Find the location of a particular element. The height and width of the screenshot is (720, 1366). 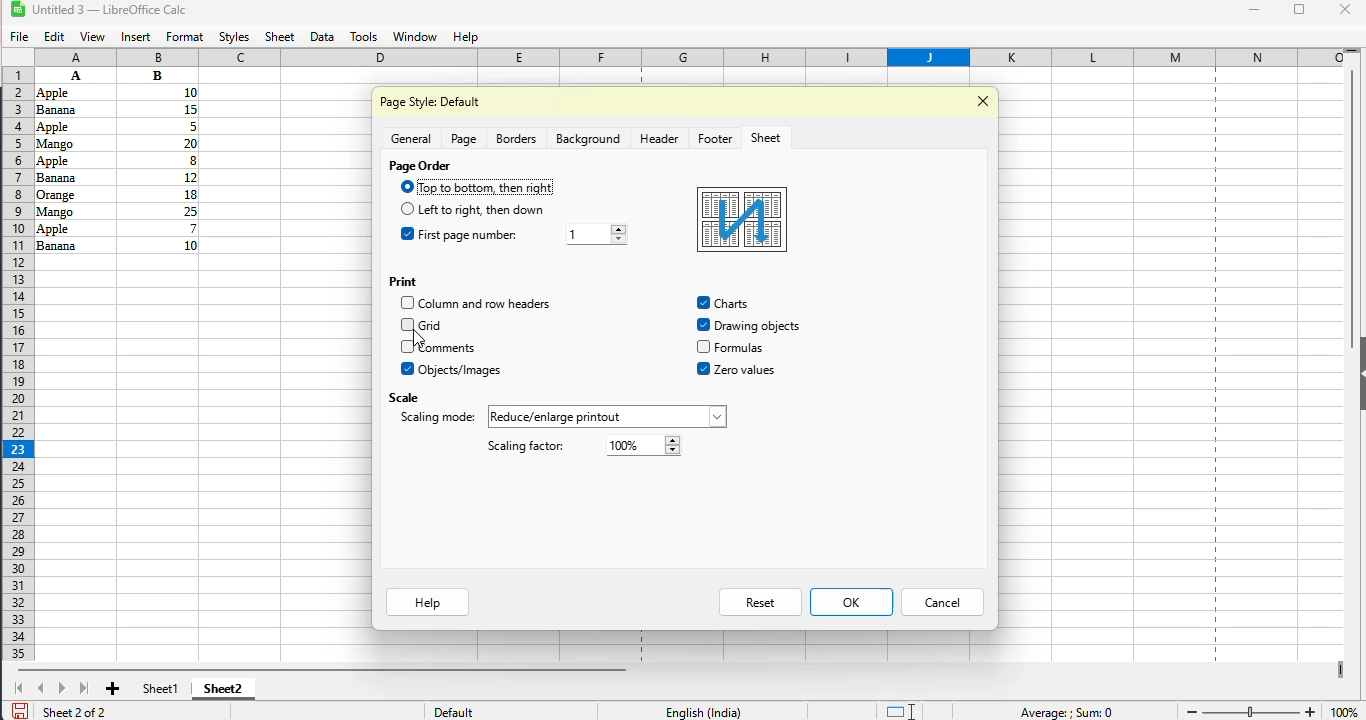

page order is located at coordinates (420, 166).